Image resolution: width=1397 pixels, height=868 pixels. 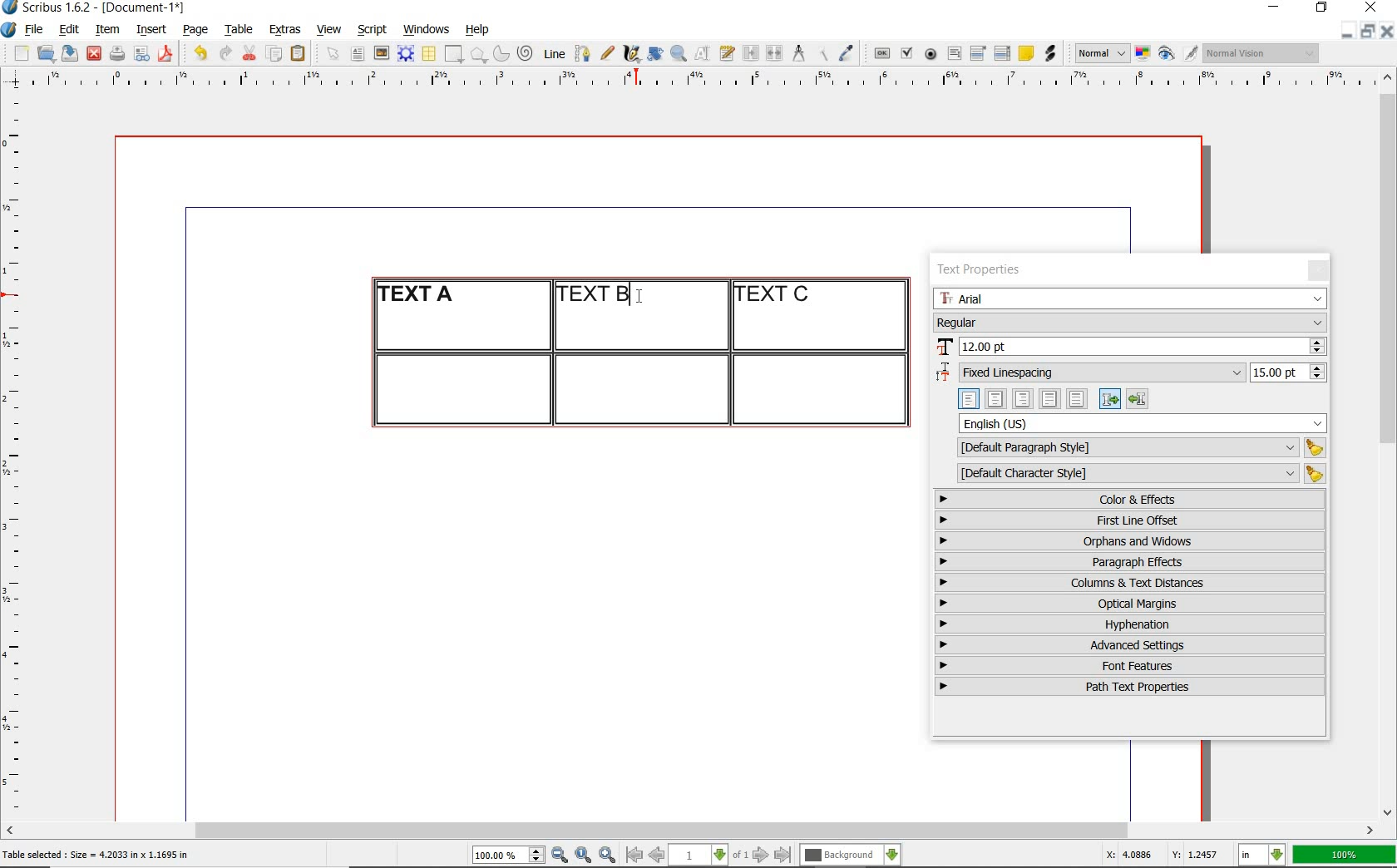 What do you see at coordinates (478, 54) in the screenshot?
I see `polygon` at bounding box center [478, 54].